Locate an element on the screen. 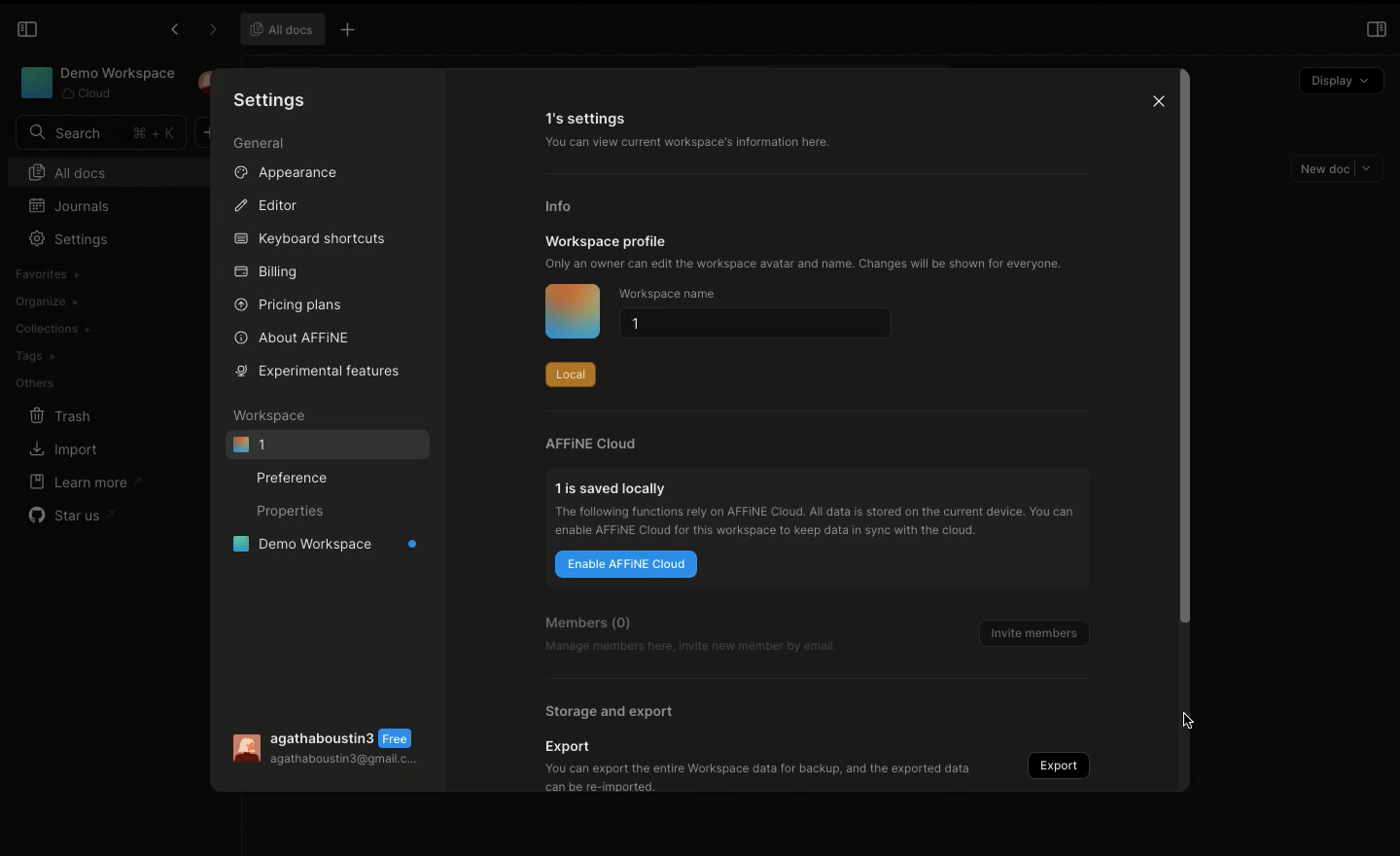  Pricing plans is located at coordinates (290, 303).